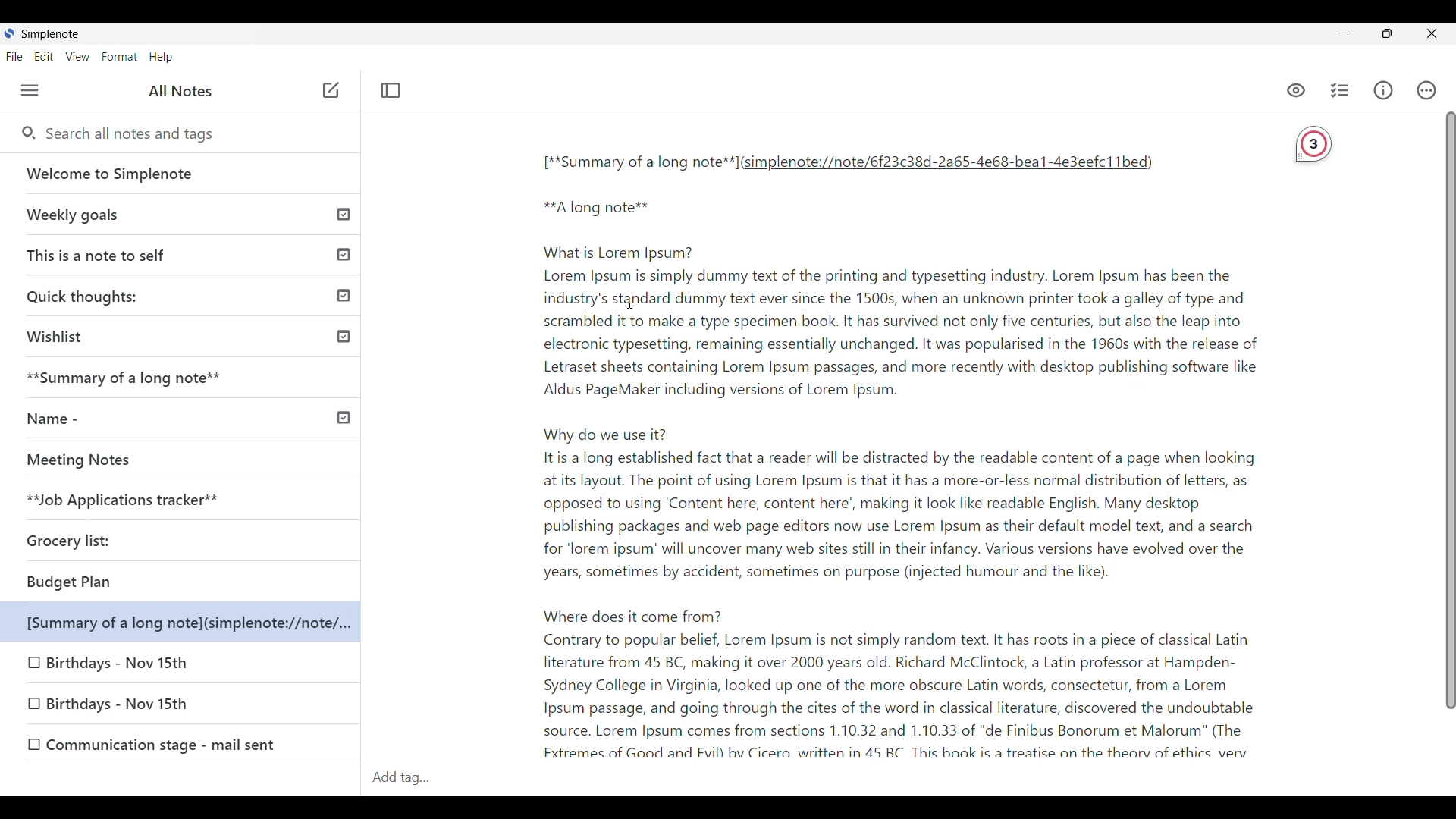 This screenshot has width=1456, height=819. Describe the element at coordinates (155, 708) in the screenshot. I see `Birthdays-Nov 15th` at that location.